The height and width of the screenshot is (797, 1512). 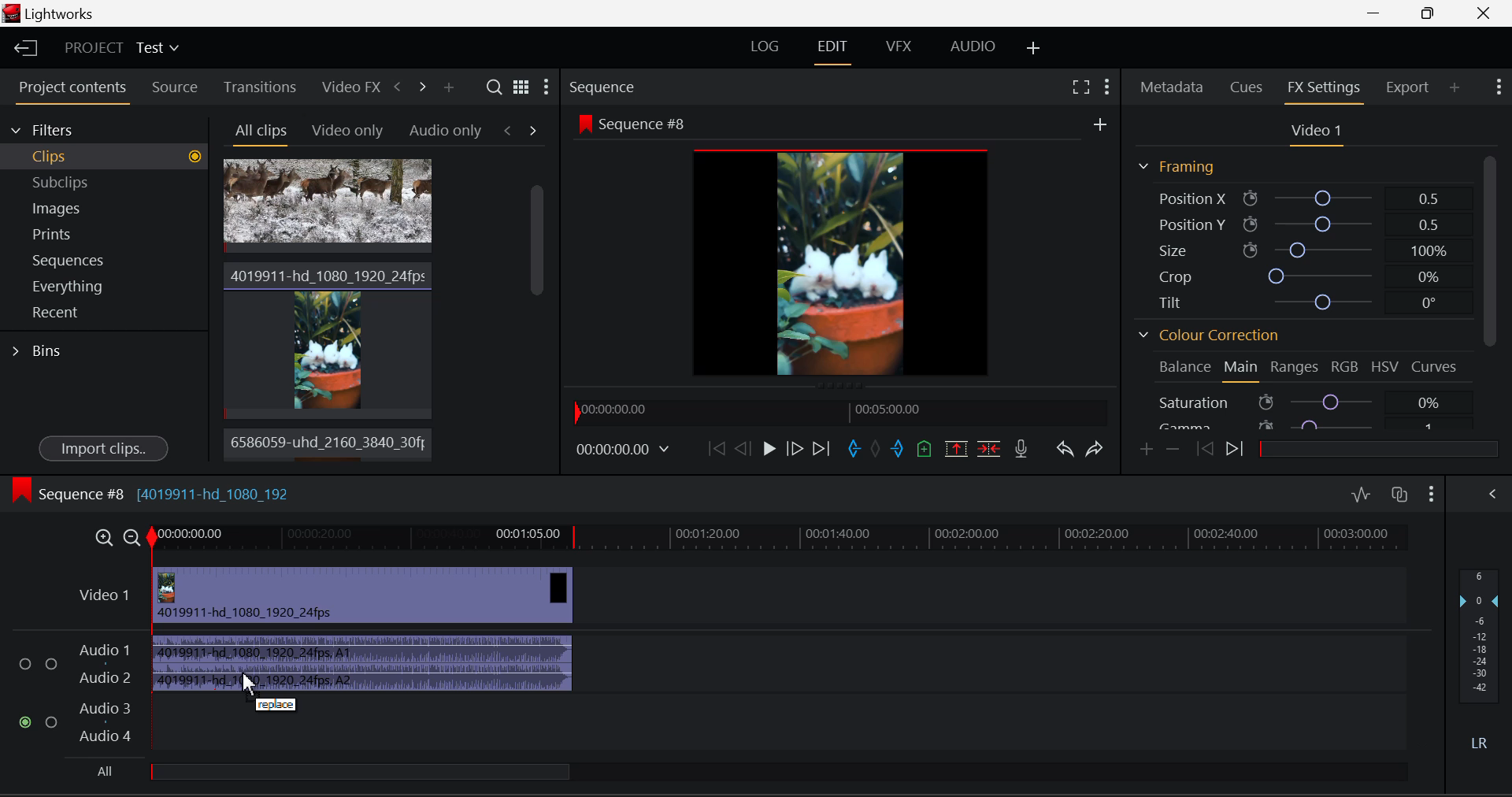 I want to click on EDIT Layout, so click(x=833, y=49).